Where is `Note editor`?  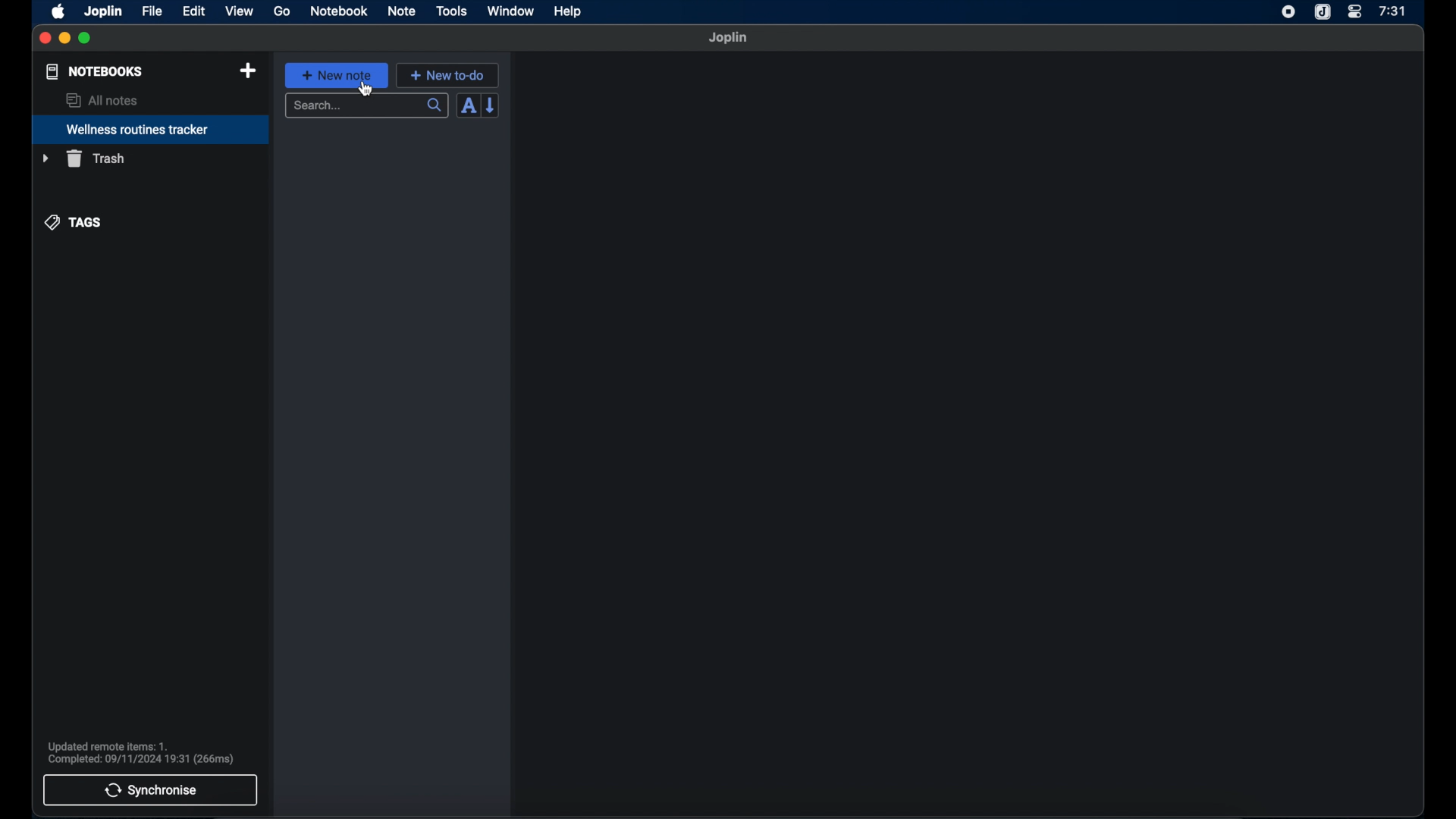
Note editor is located at coordinates (969, 435).